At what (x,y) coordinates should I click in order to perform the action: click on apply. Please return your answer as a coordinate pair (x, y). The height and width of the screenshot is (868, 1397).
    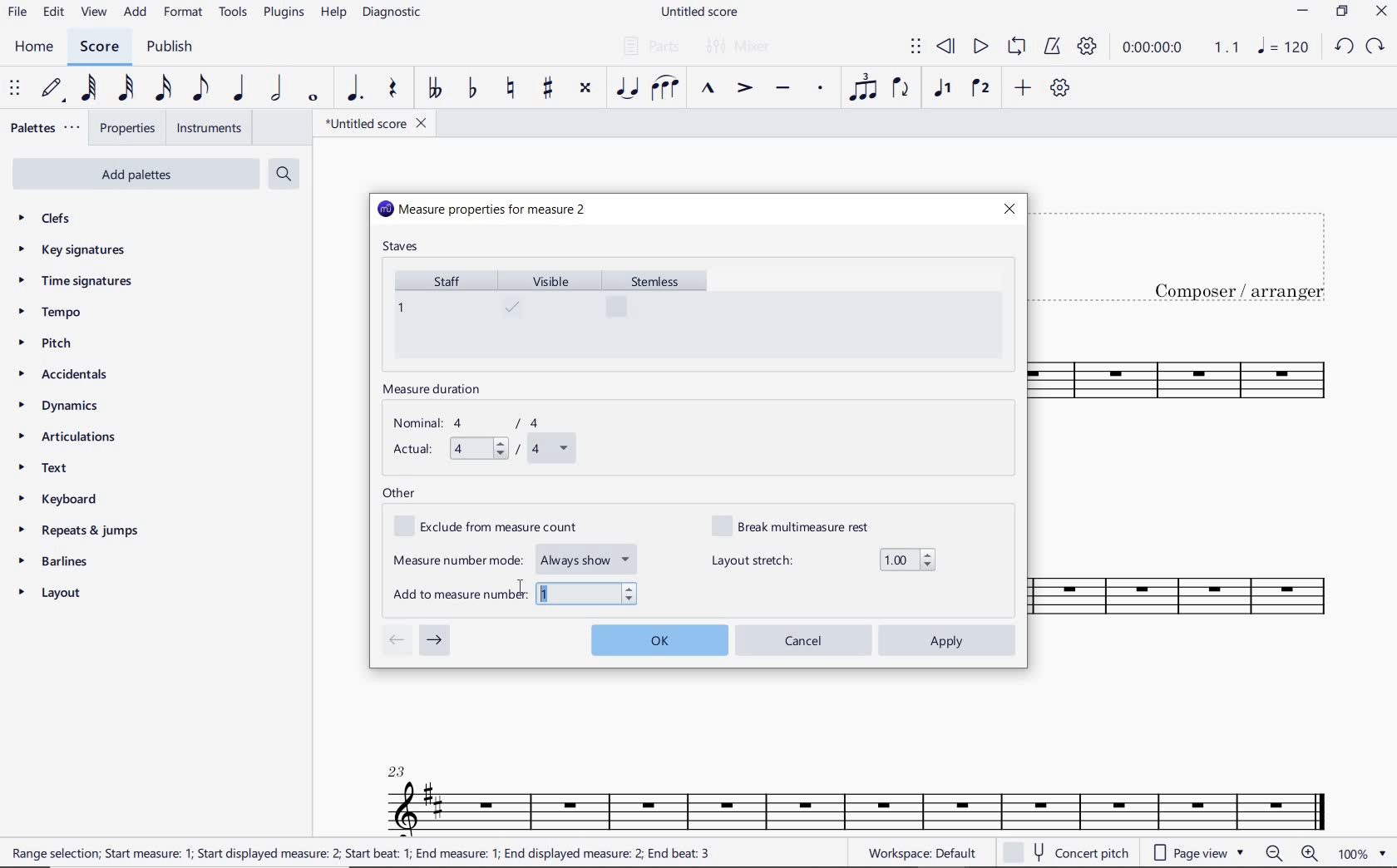
    Looking at the image, I should click on (949, 640).